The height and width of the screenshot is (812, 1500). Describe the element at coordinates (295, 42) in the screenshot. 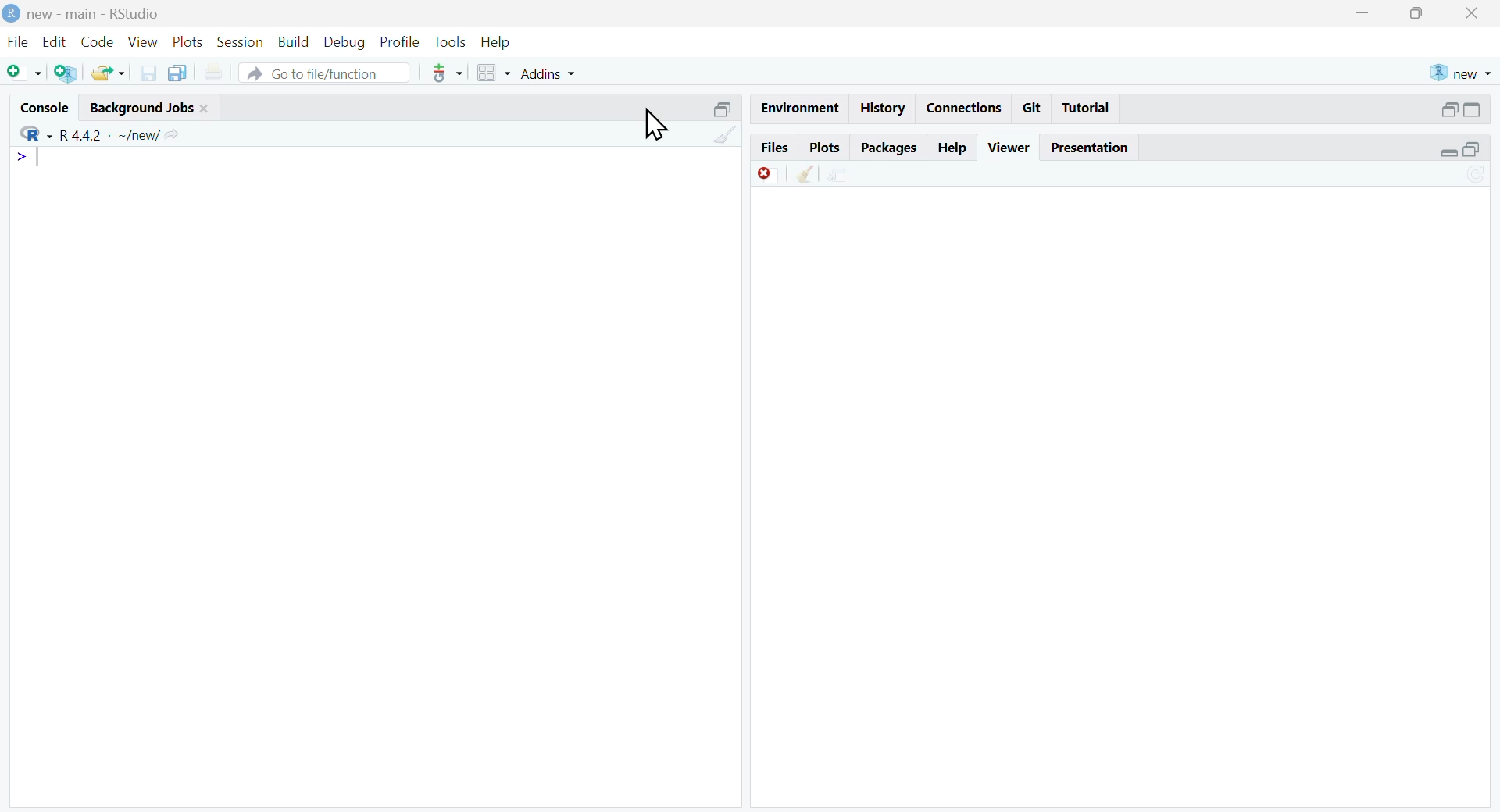

I see `build` at that location.